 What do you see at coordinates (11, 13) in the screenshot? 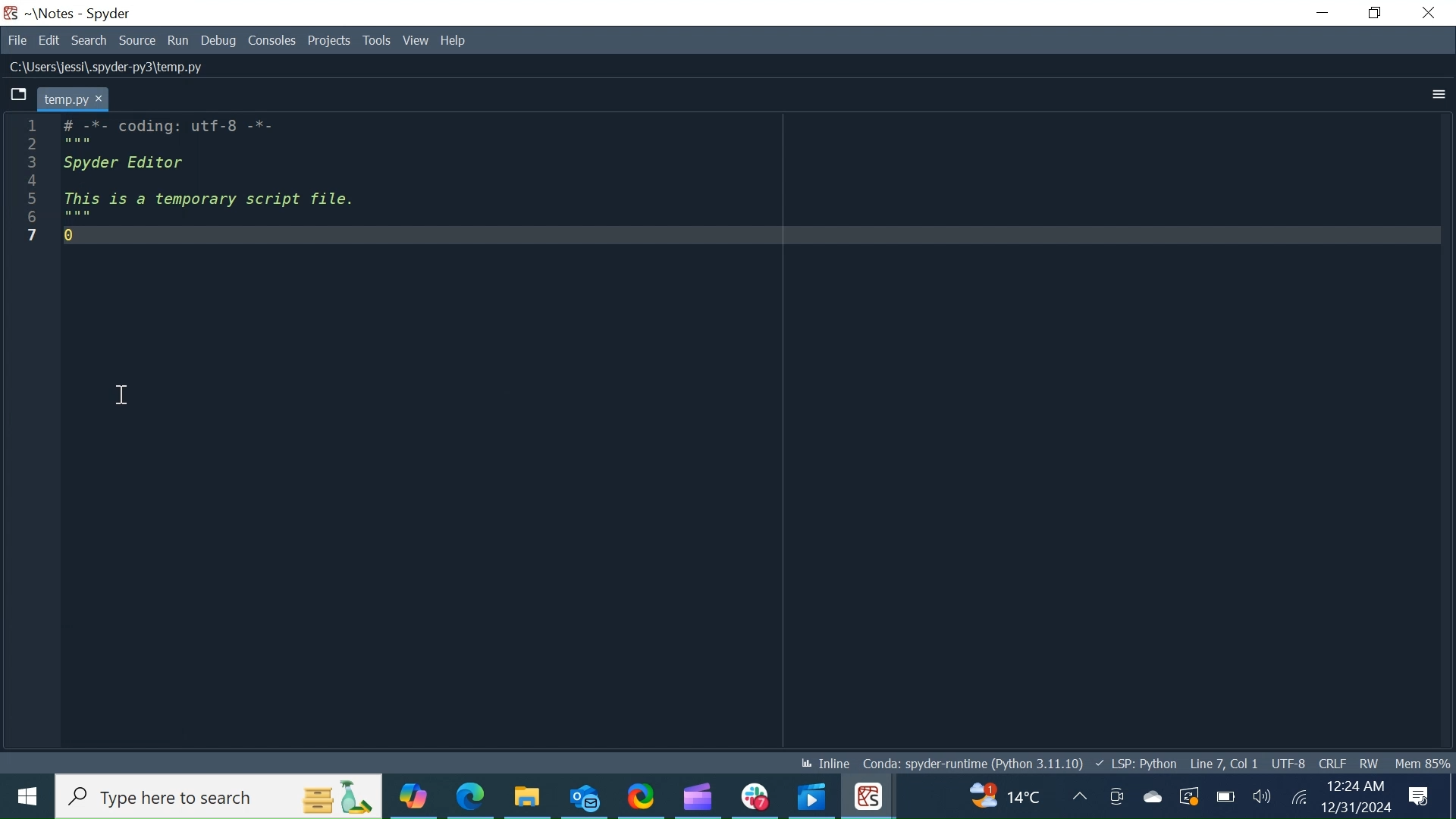
I see `Spyder Desktop Icon` at bounding box center [11, 13].